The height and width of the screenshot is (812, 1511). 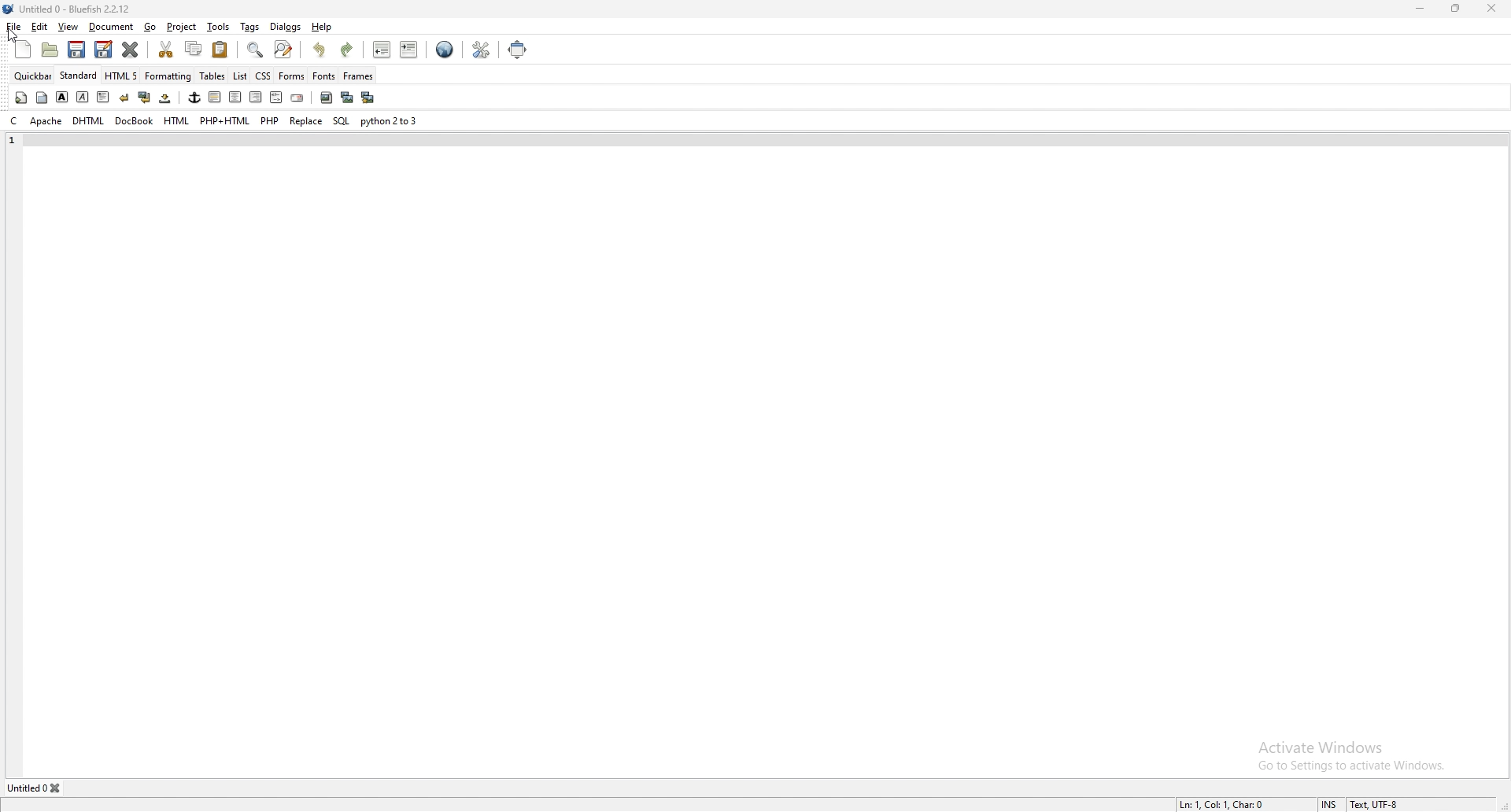 What do you see at coordinates (135, 121) in the screenshot?
I see `docbook` at bounding box center [135, 121].